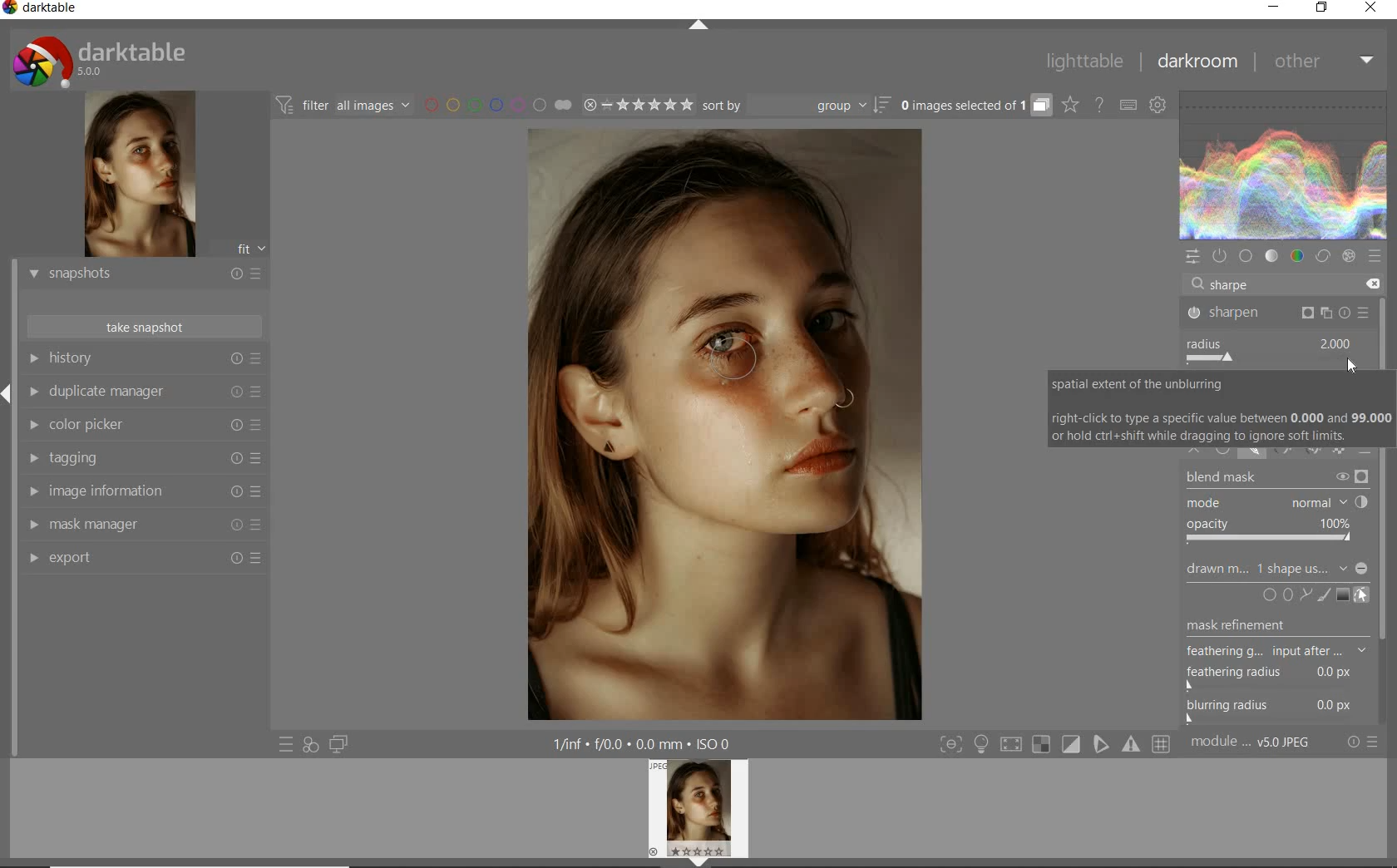  Describe the element at coordinates (973, 105) in the screenshot. I see `expand grouped images` at that location.